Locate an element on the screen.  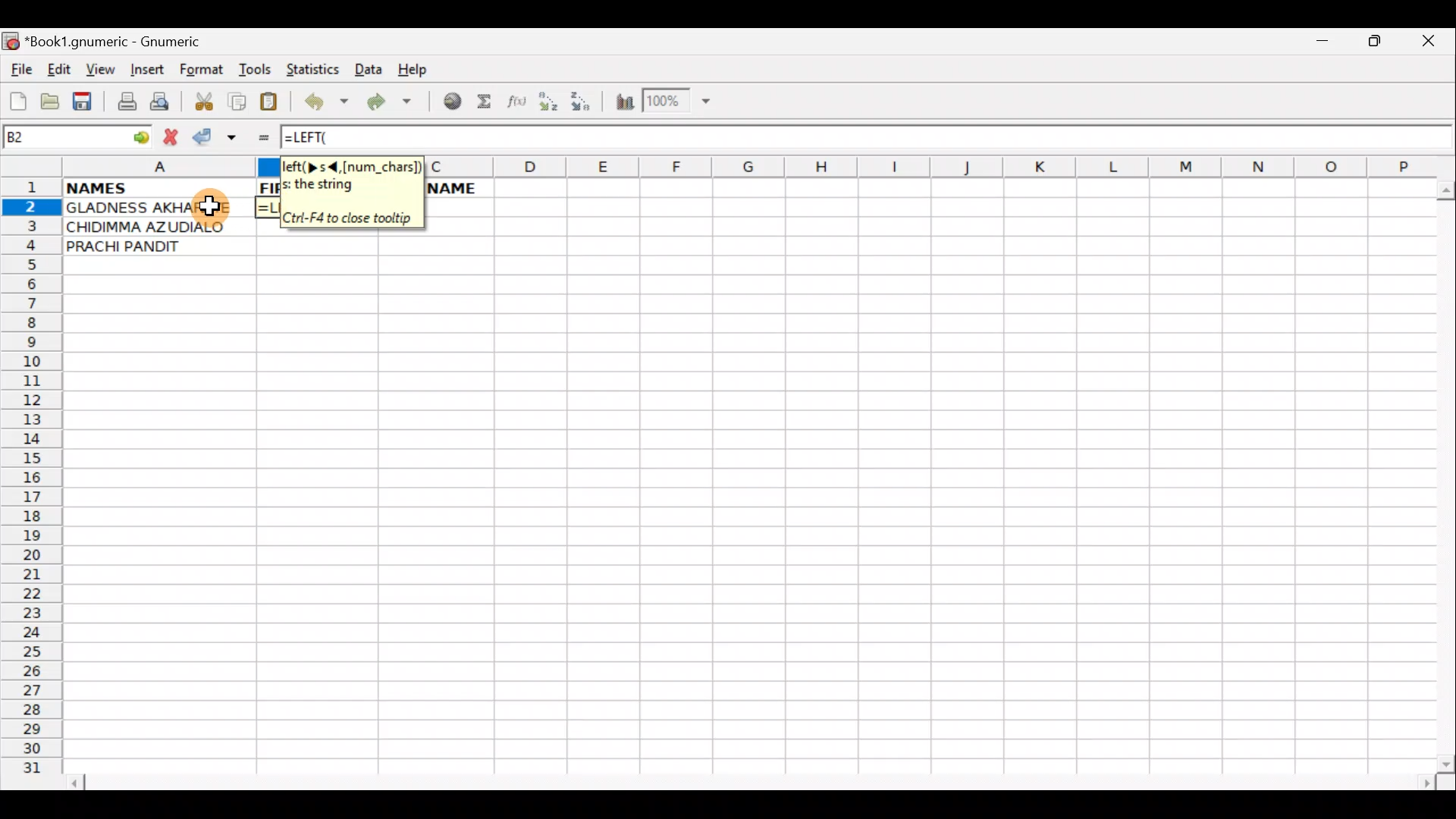
Maximize is located at coordinates (1377, 44).